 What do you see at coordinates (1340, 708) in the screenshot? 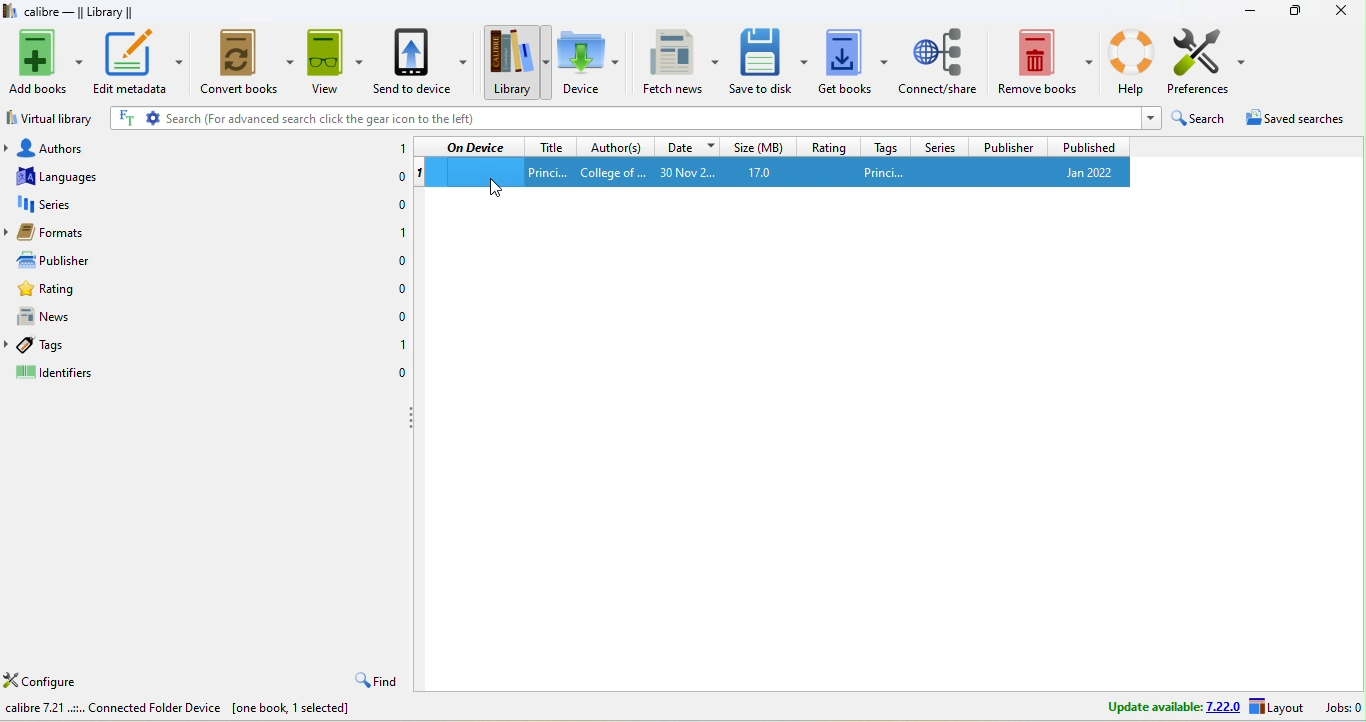
I see `jobs 0` at bounding box center [1340, 708].